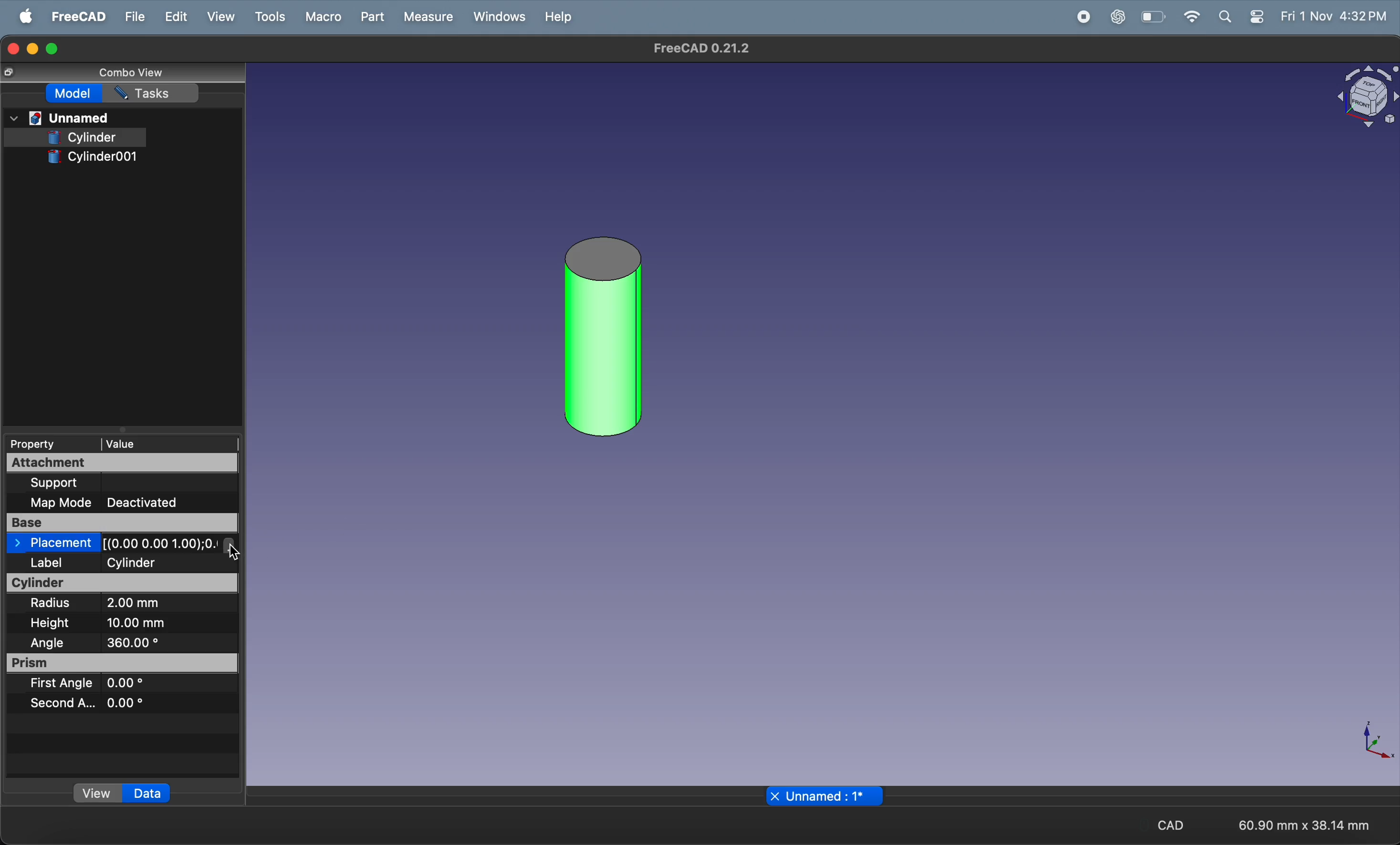 The image size is (1400, 845). Describe the element at coordinates (148, 794) in the screenshot. I see `data` at that location.